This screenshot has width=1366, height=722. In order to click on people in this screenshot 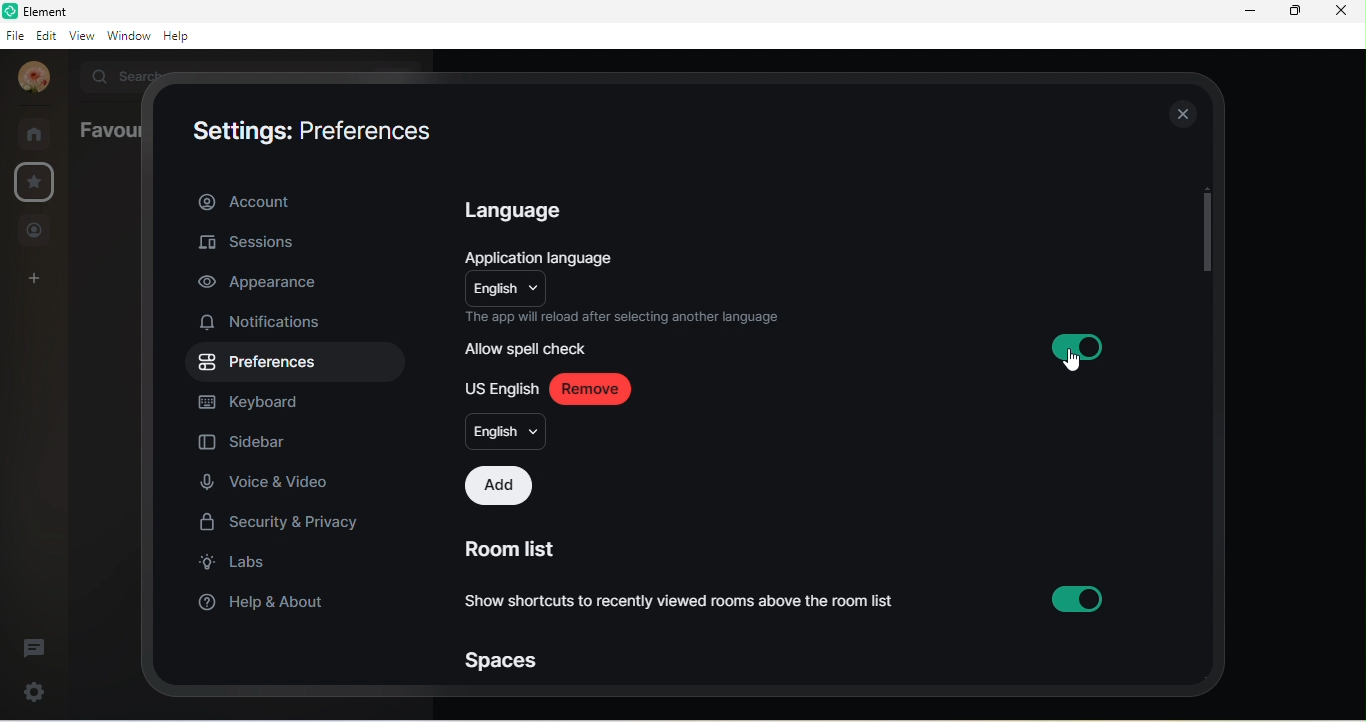, I will do `click(35, 229)`.